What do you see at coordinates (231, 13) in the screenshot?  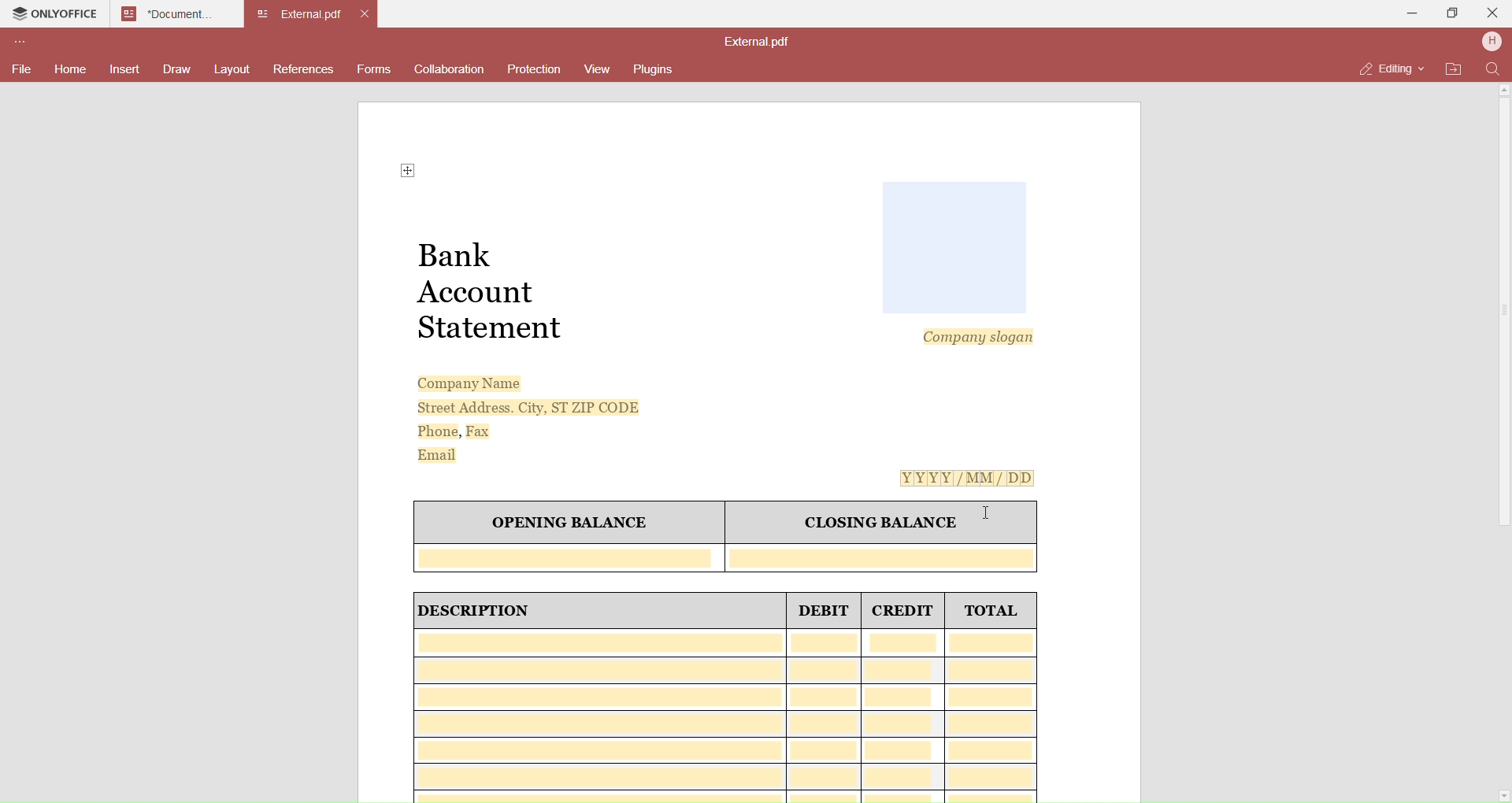 I see `Close Tab` at bounding box center [231, 13].